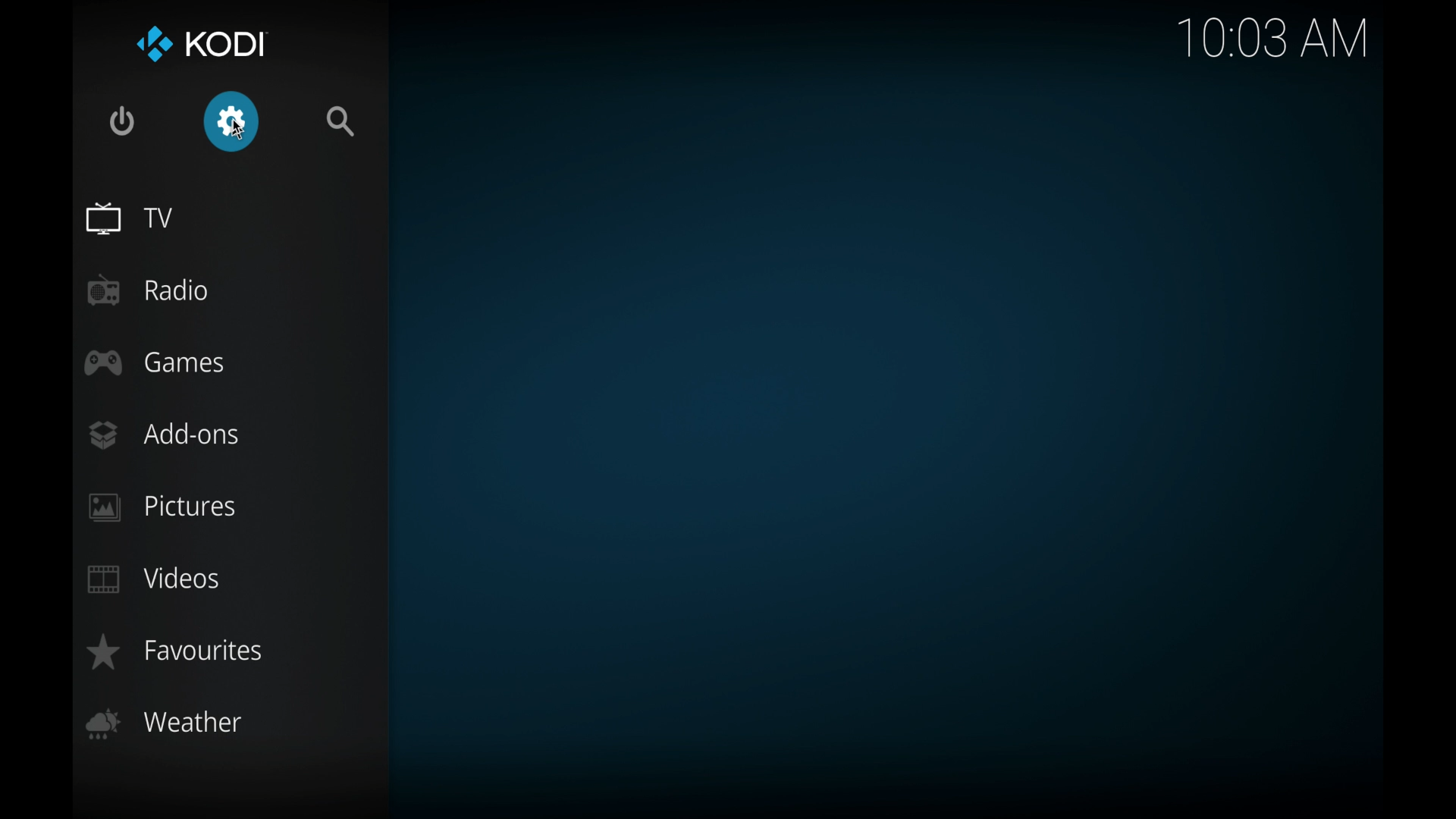 Image resolution: width=1456 pixels, height=819 pixels. Describe the element at coordinates (174, 652) in the screenshot. I see `favorites` at that location.